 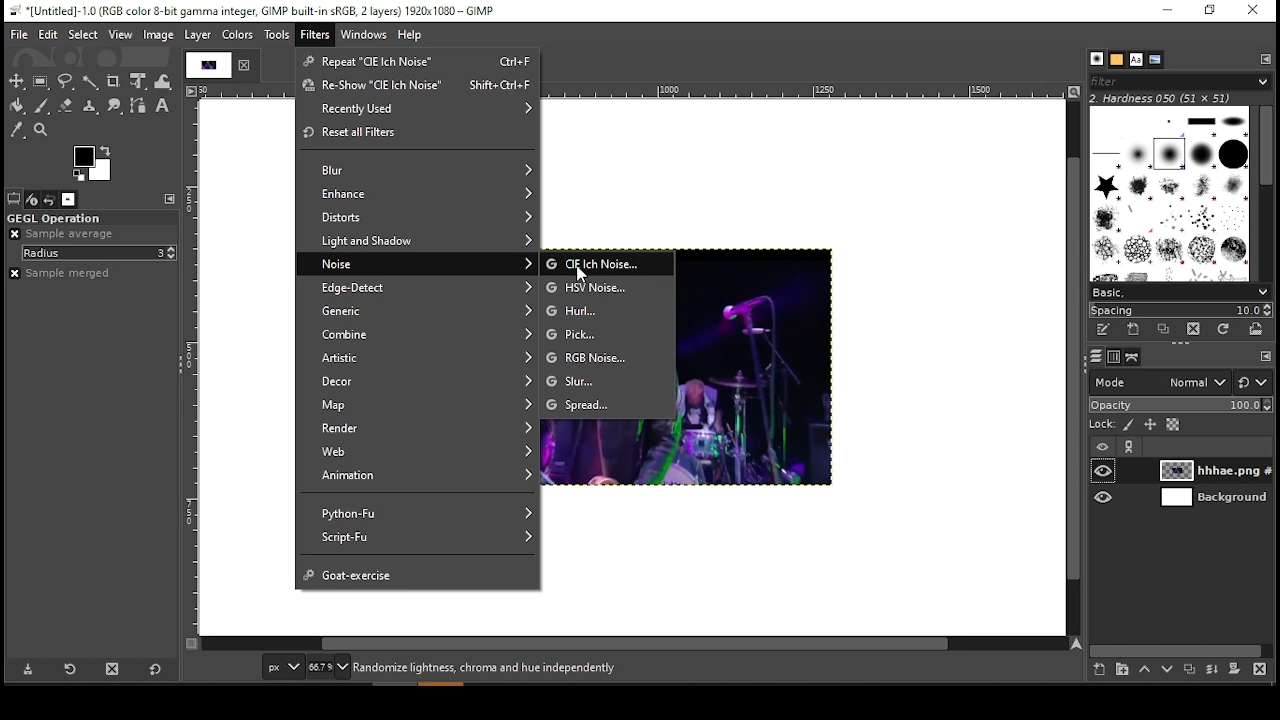 What do you see at coordinates (1097, 672) in the screenshot?
I see `new layer` at bounding box center [1097, 672].